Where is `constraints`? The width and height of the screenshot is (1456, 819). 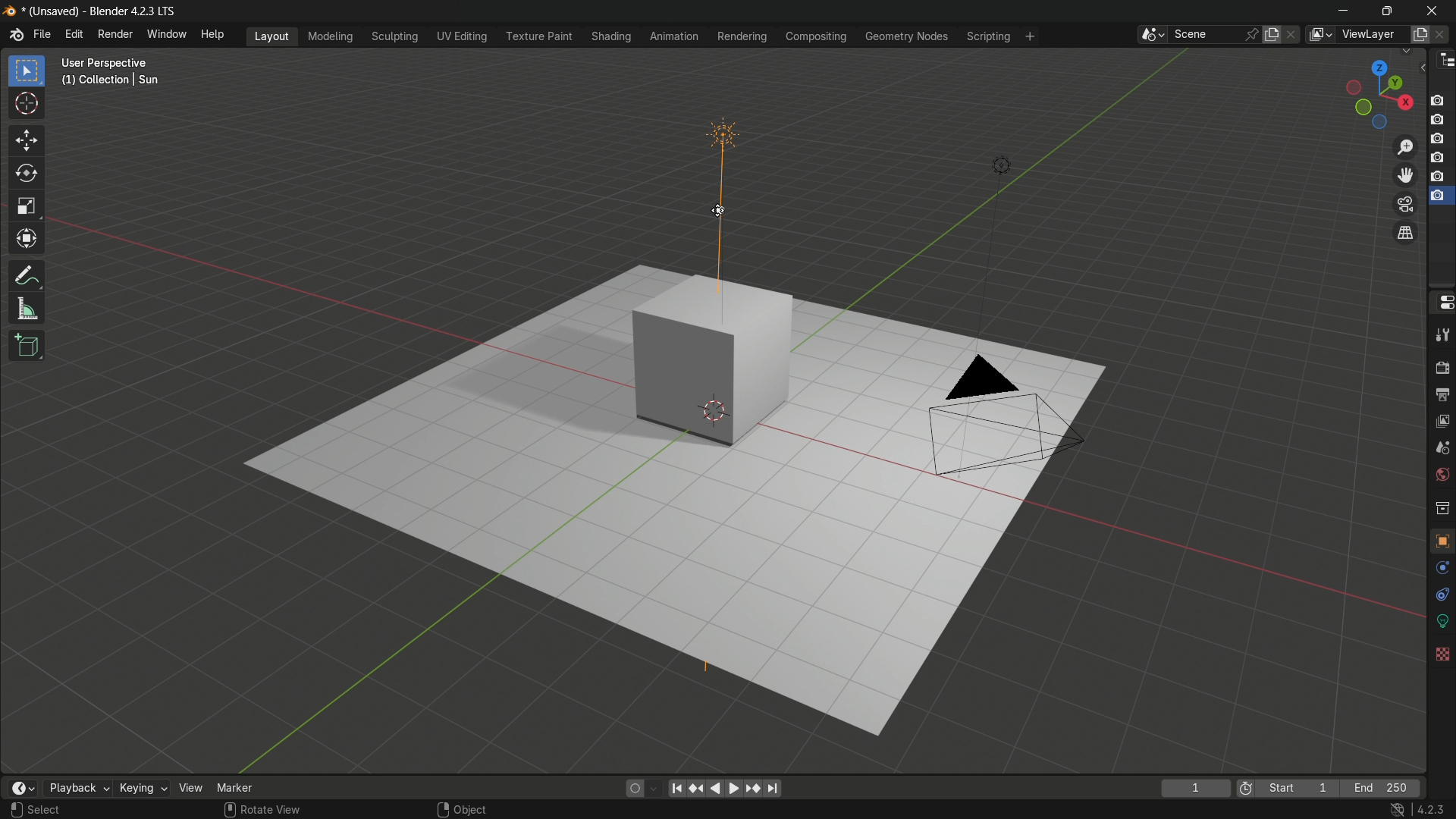
constraints is located at coordinates (1441, 594).